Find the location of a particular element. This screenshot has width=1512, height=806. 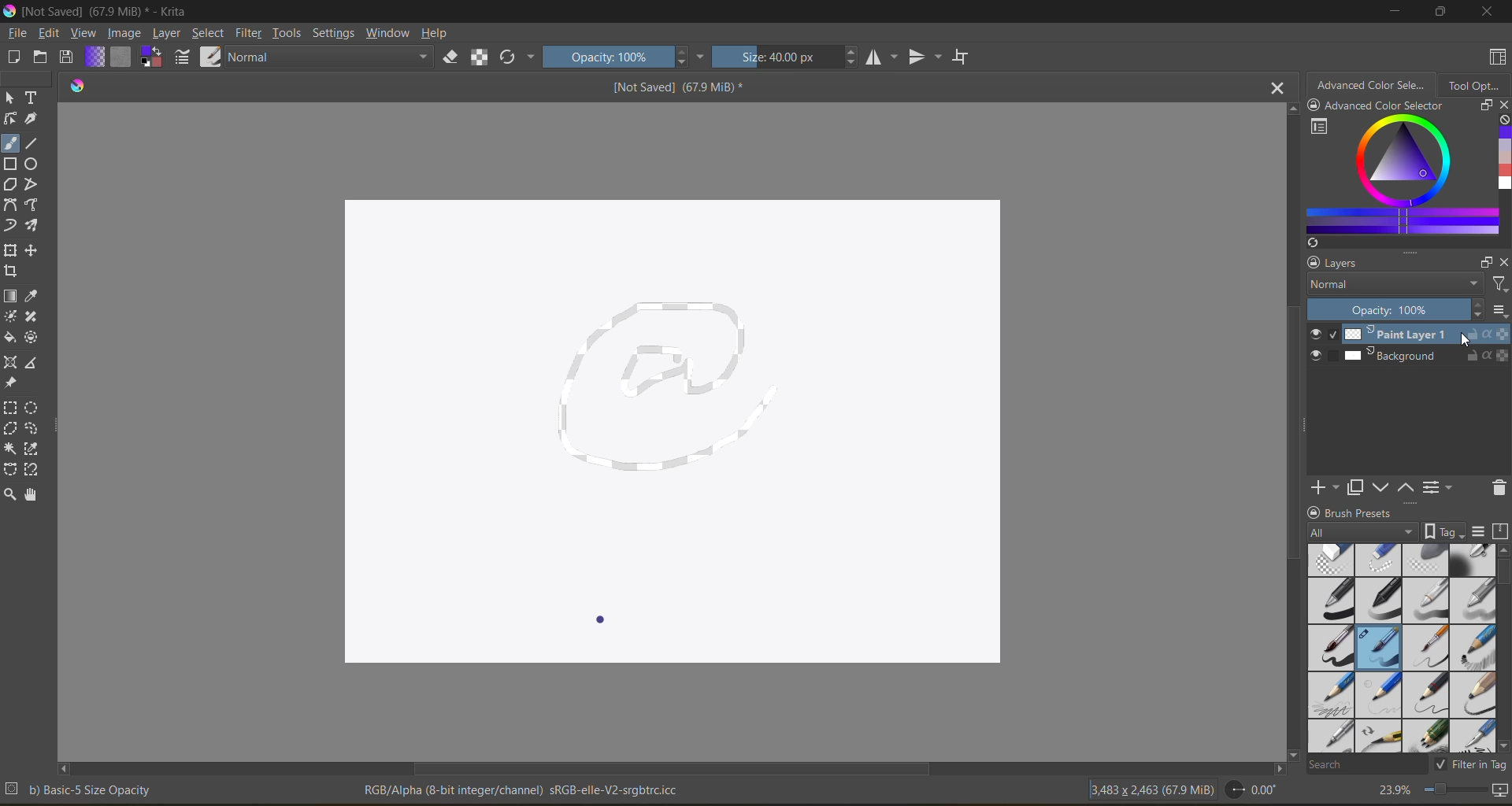

vertical scroll bar is located at coordinates (1290, 440).